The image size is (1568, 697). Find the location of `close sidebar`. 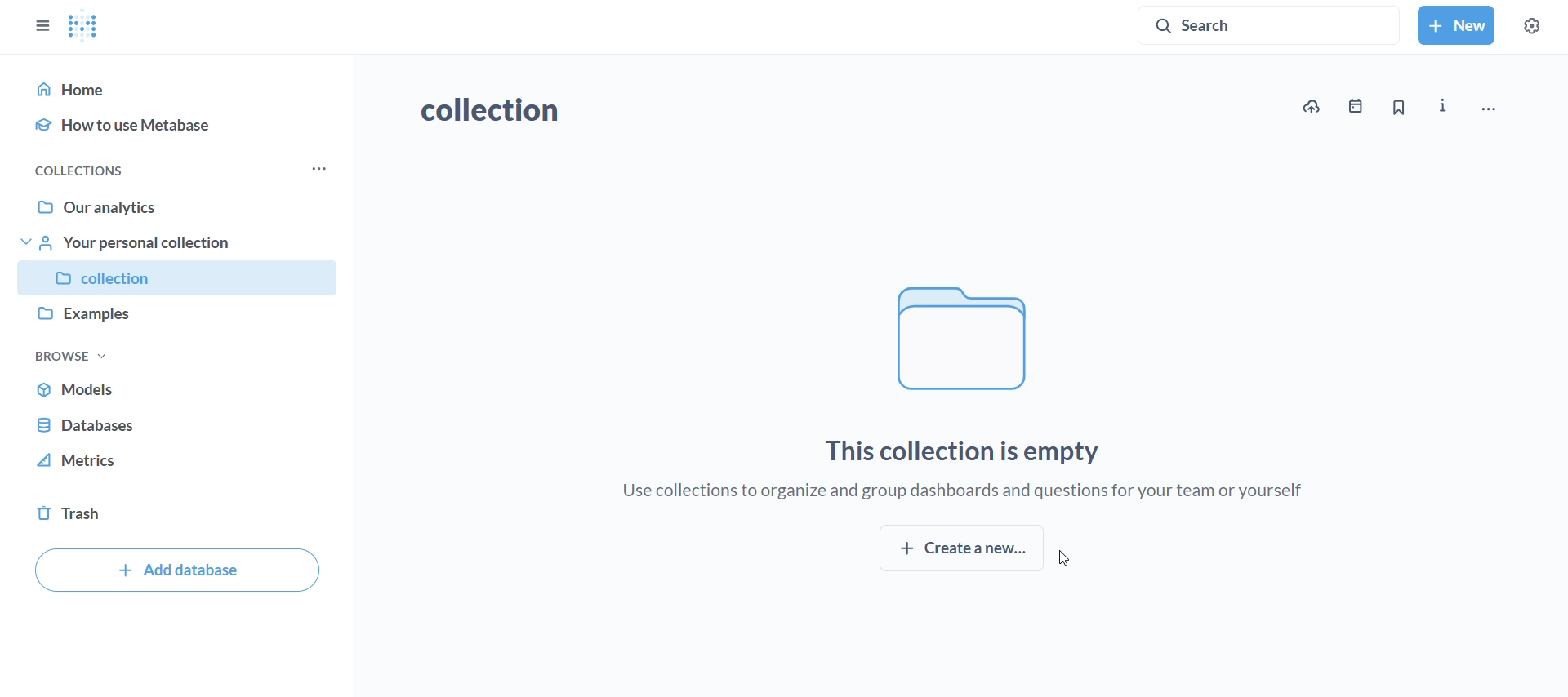

close sidebar is located at coordinates (32, 20).